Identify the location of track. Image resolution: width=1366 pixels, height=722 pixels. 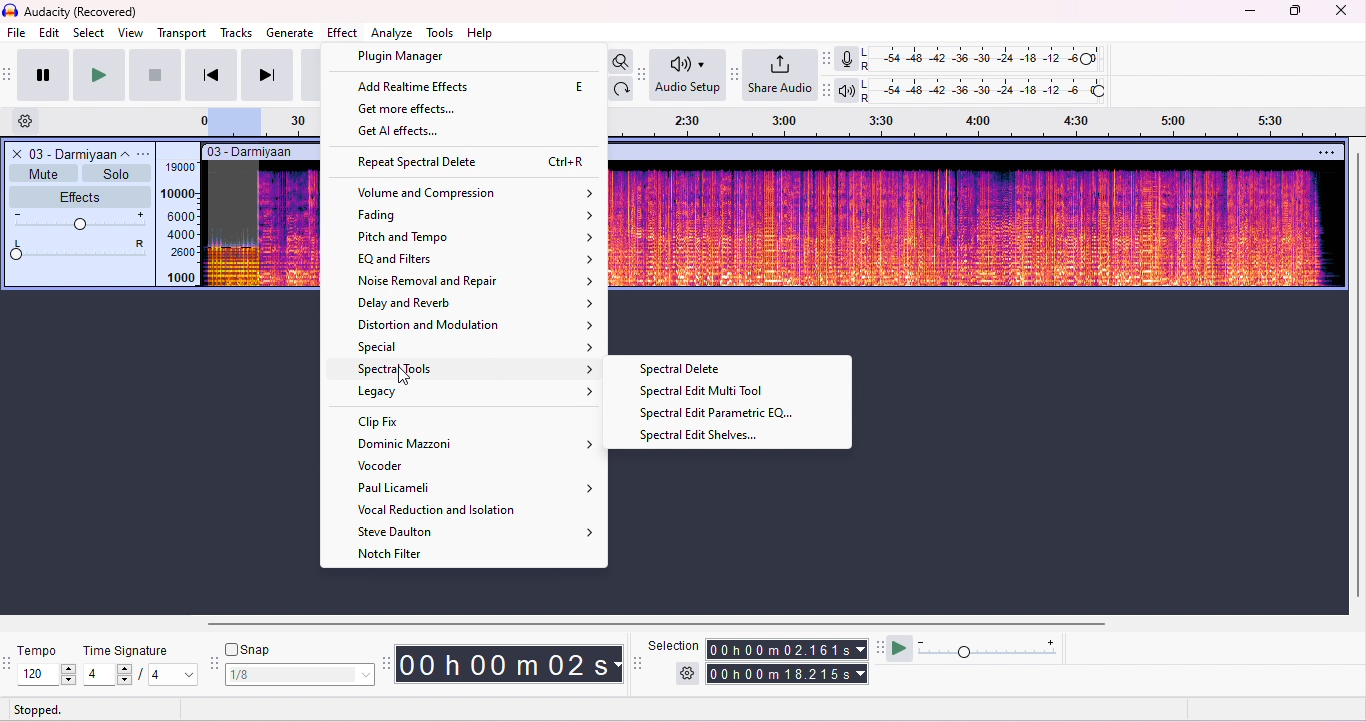
(78, 153).